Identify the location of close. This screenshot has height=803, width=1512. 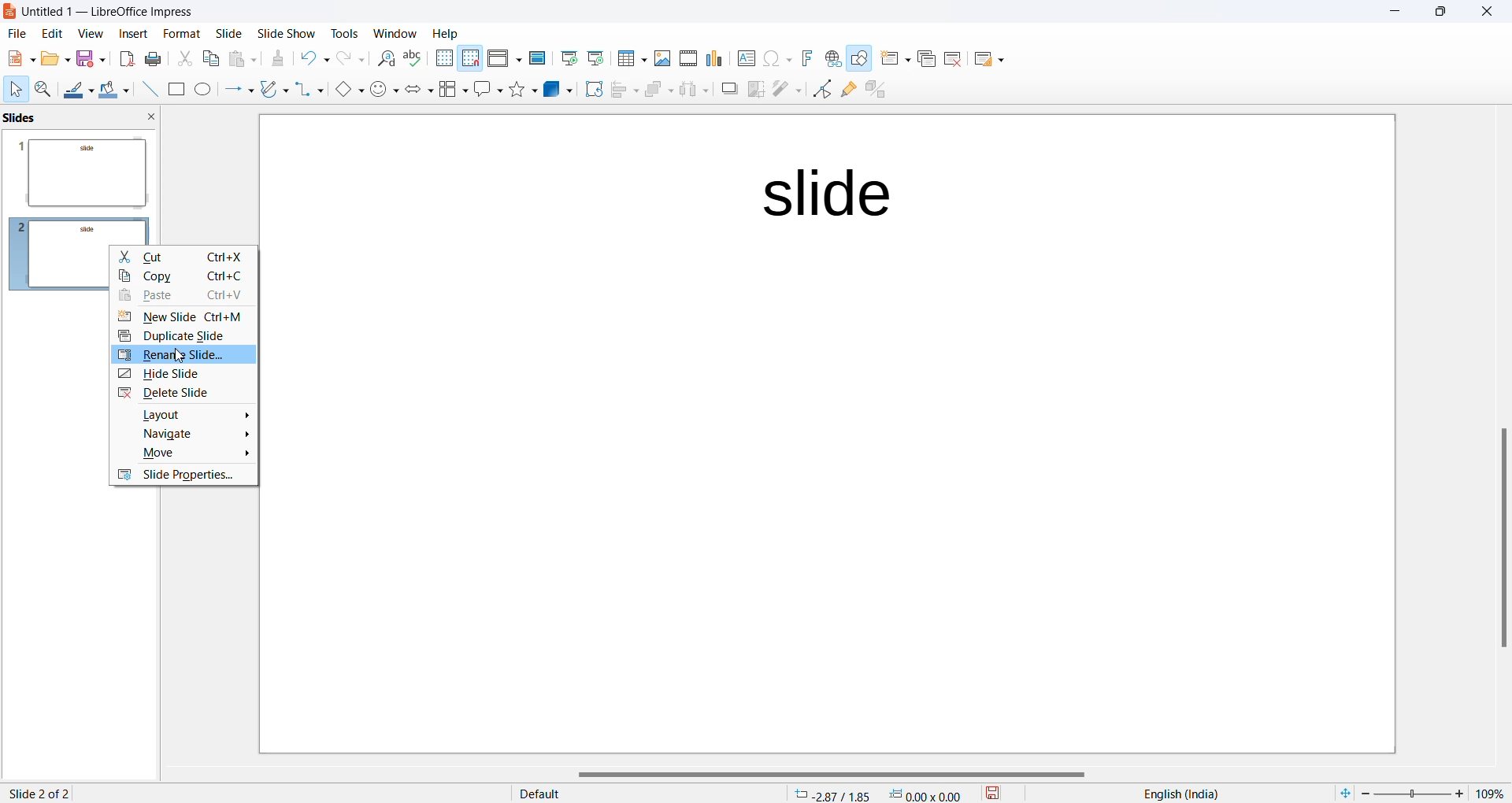
(1487, 14).